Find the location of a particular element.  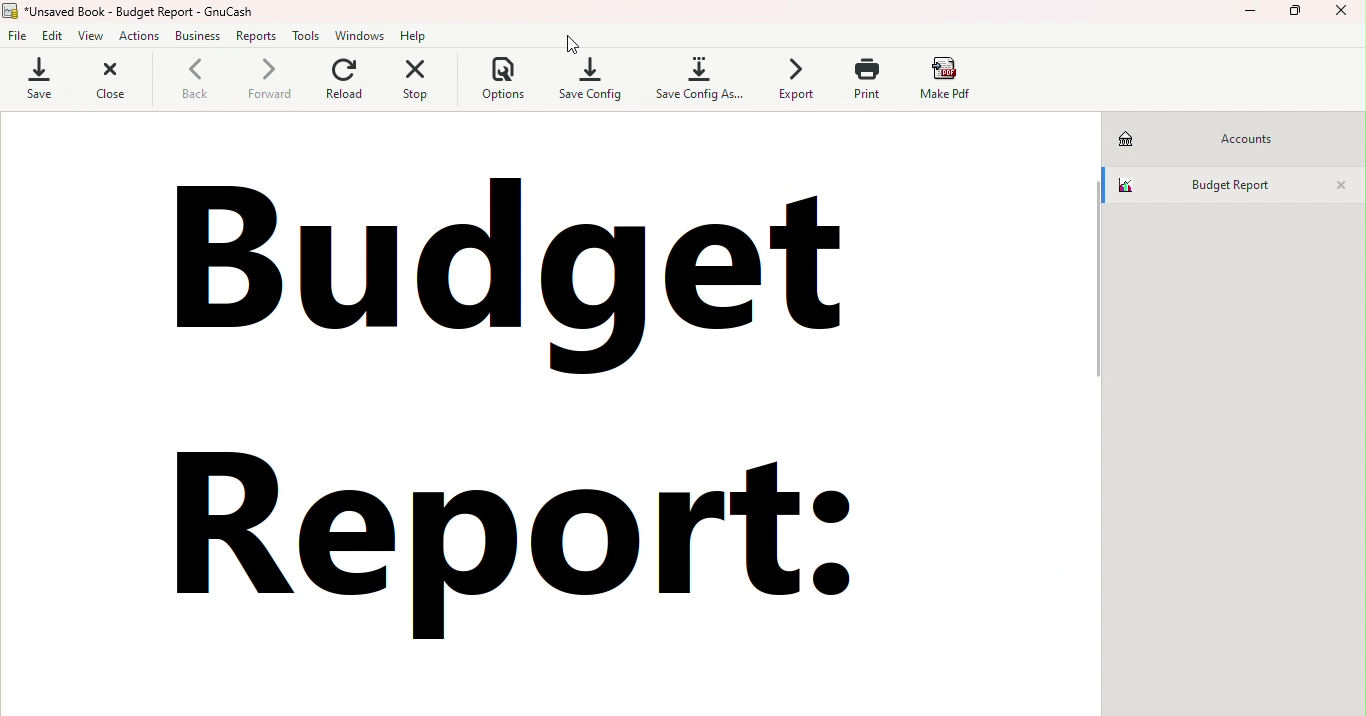

Stop is located at coordinates (429, 86).